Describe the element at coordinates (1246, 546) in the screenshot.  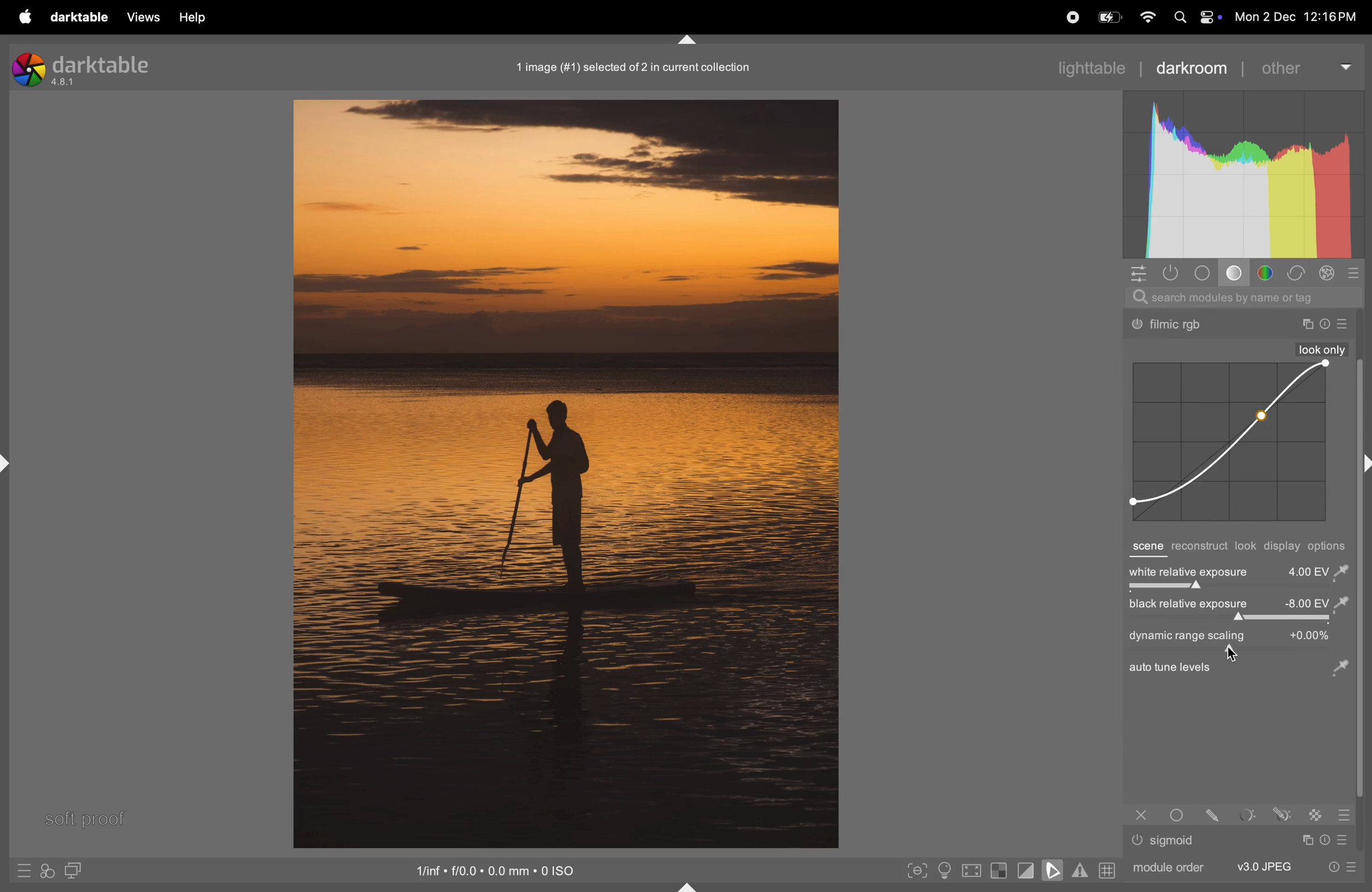
I see `look` at that location.